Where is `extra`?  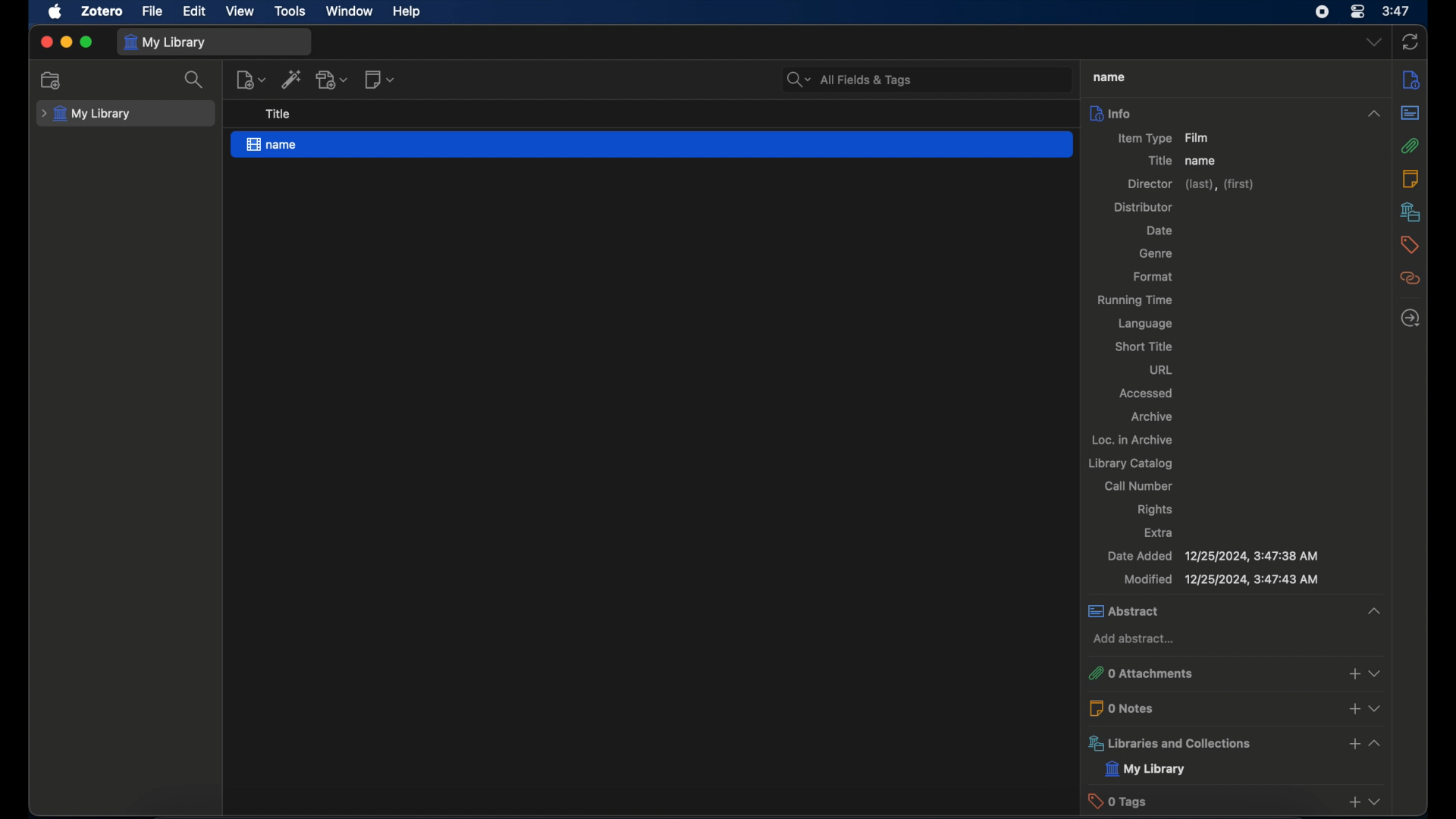 extra is located at coordinates (1159, 533).